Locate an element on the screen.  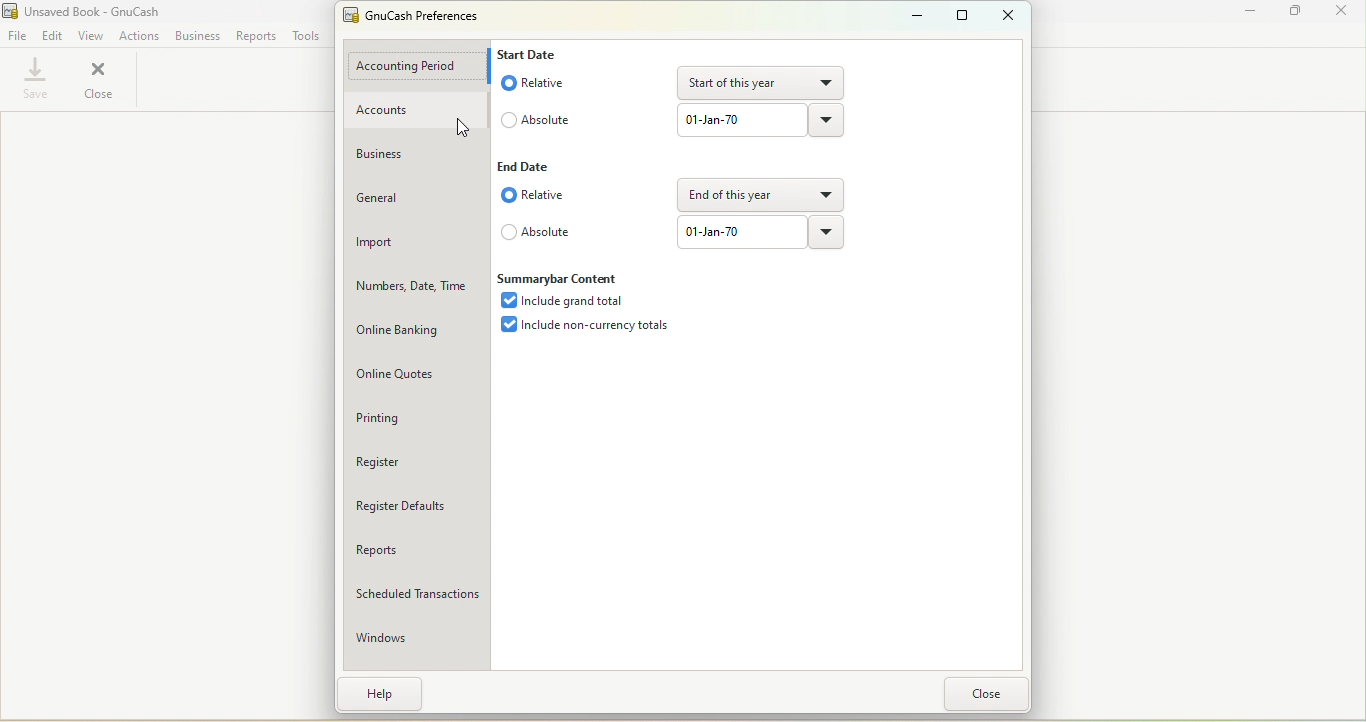
close is located at coordinates (1340, 11).